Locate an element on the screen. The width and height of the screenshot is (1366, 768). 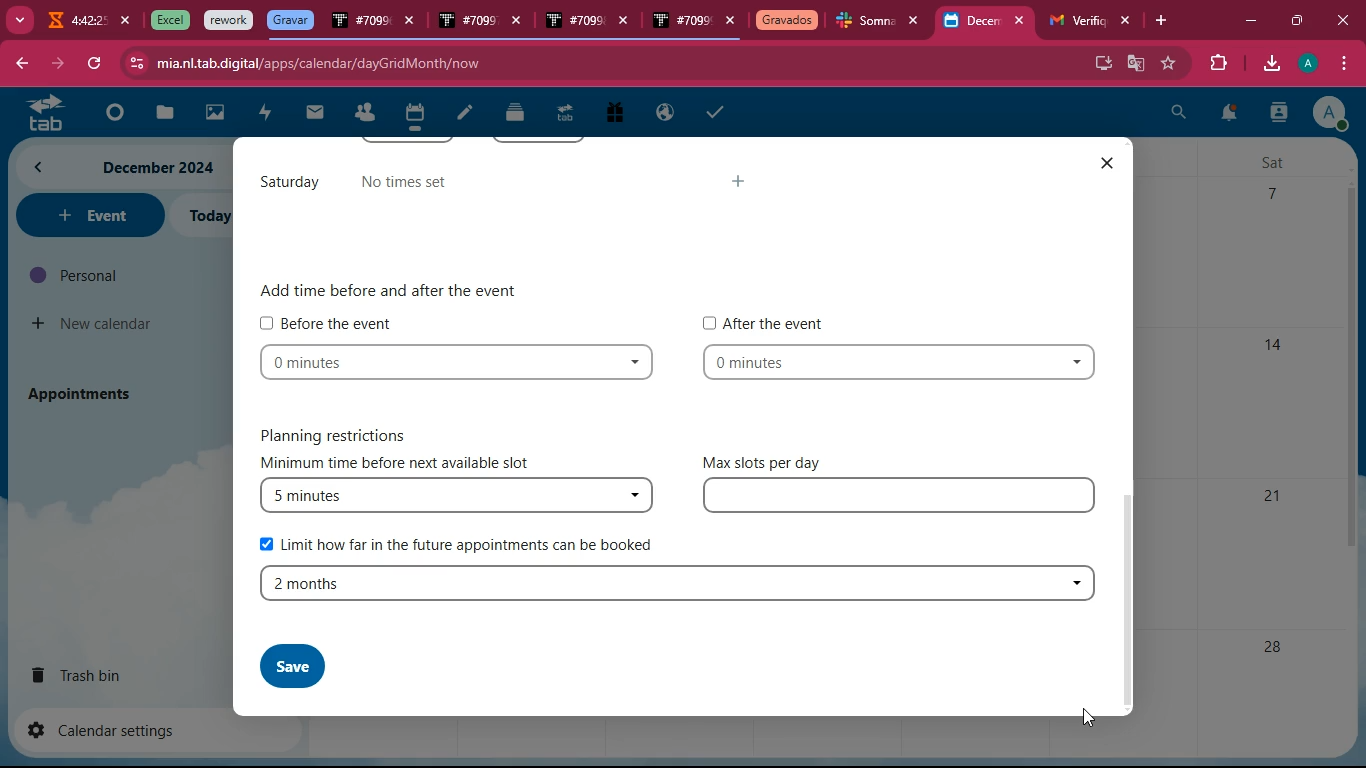
tab is located at coordinates (39, 112).